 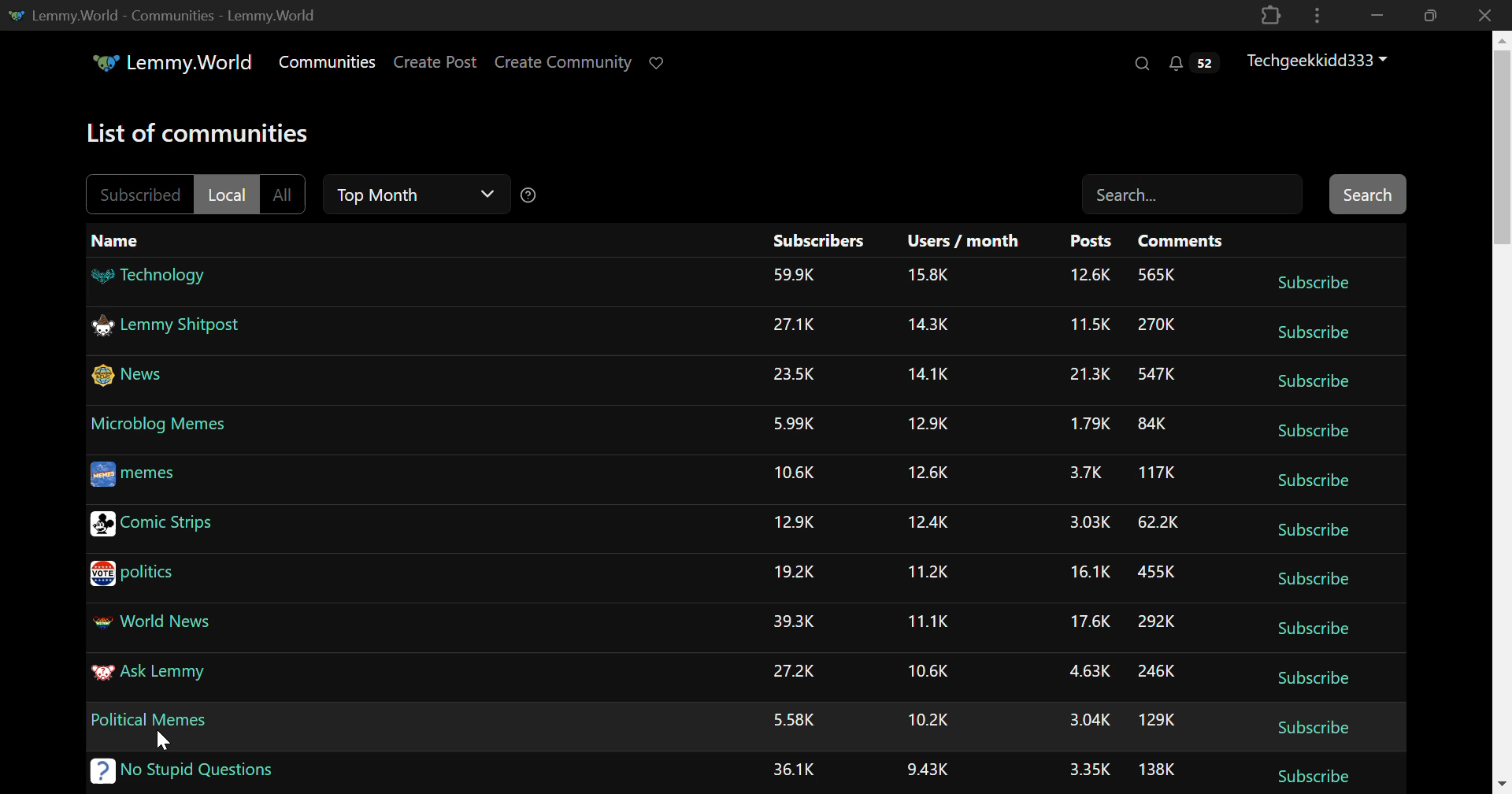 I want to click on Top Month, so click(x=416, y=191).